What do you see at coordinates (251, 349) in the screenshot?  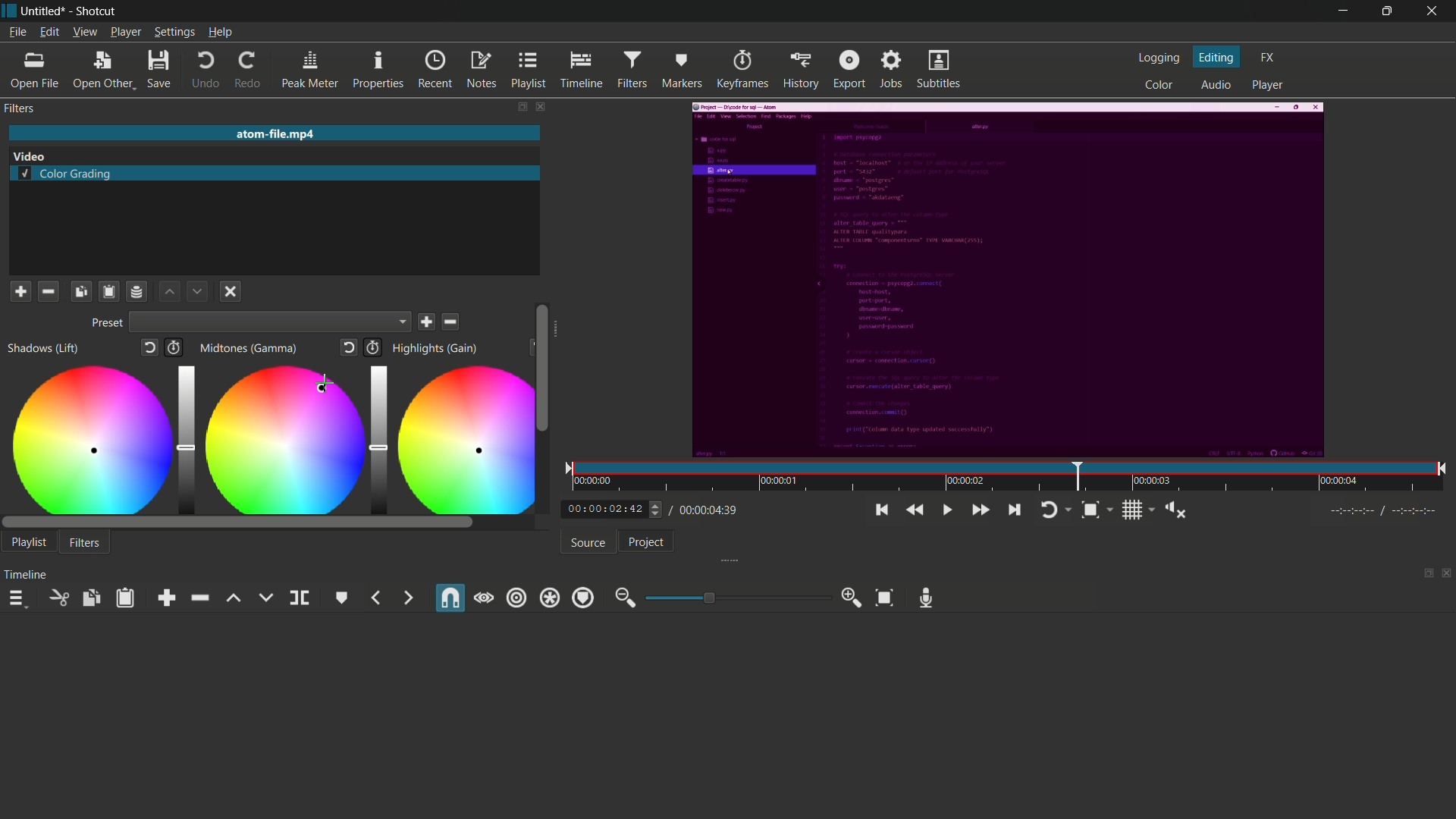 I see `midtones(gamma)` at bounding box center [251, 349].